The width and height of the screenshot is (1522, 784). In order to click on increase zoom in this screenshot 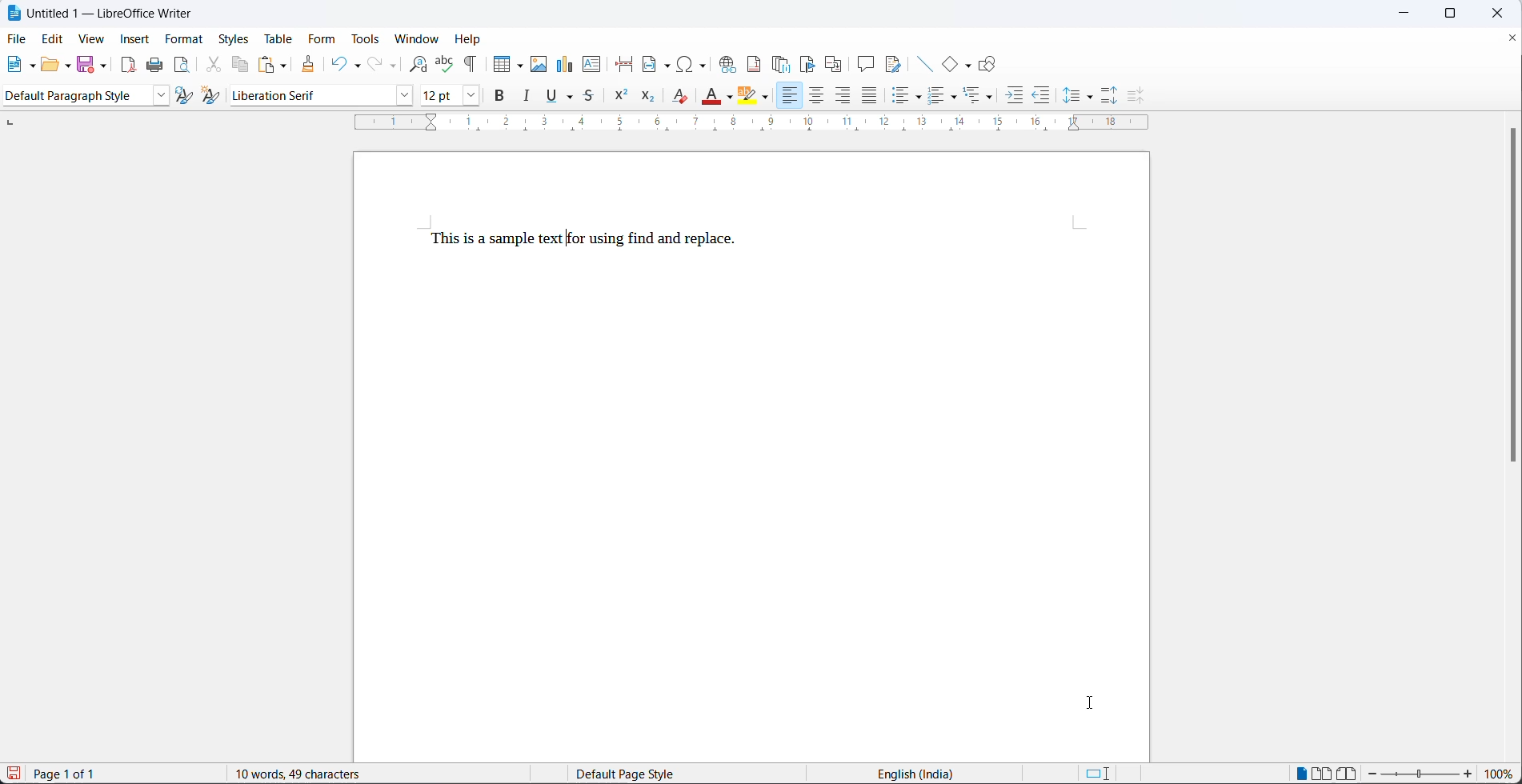, I will do `click(1470, 775)`.